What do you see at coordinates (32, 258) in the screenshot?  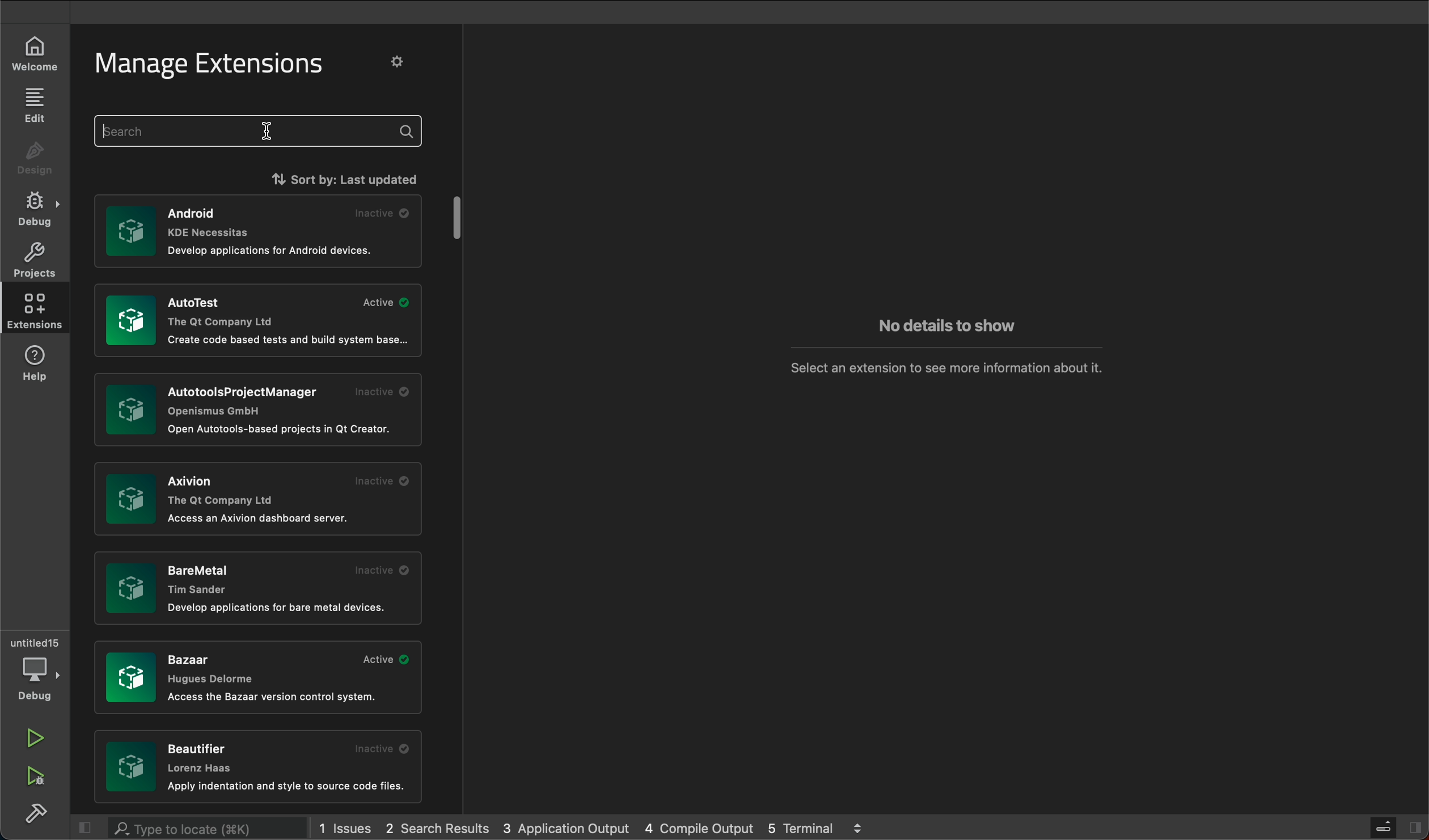 I see `projects` at bounding box center [32, 258].